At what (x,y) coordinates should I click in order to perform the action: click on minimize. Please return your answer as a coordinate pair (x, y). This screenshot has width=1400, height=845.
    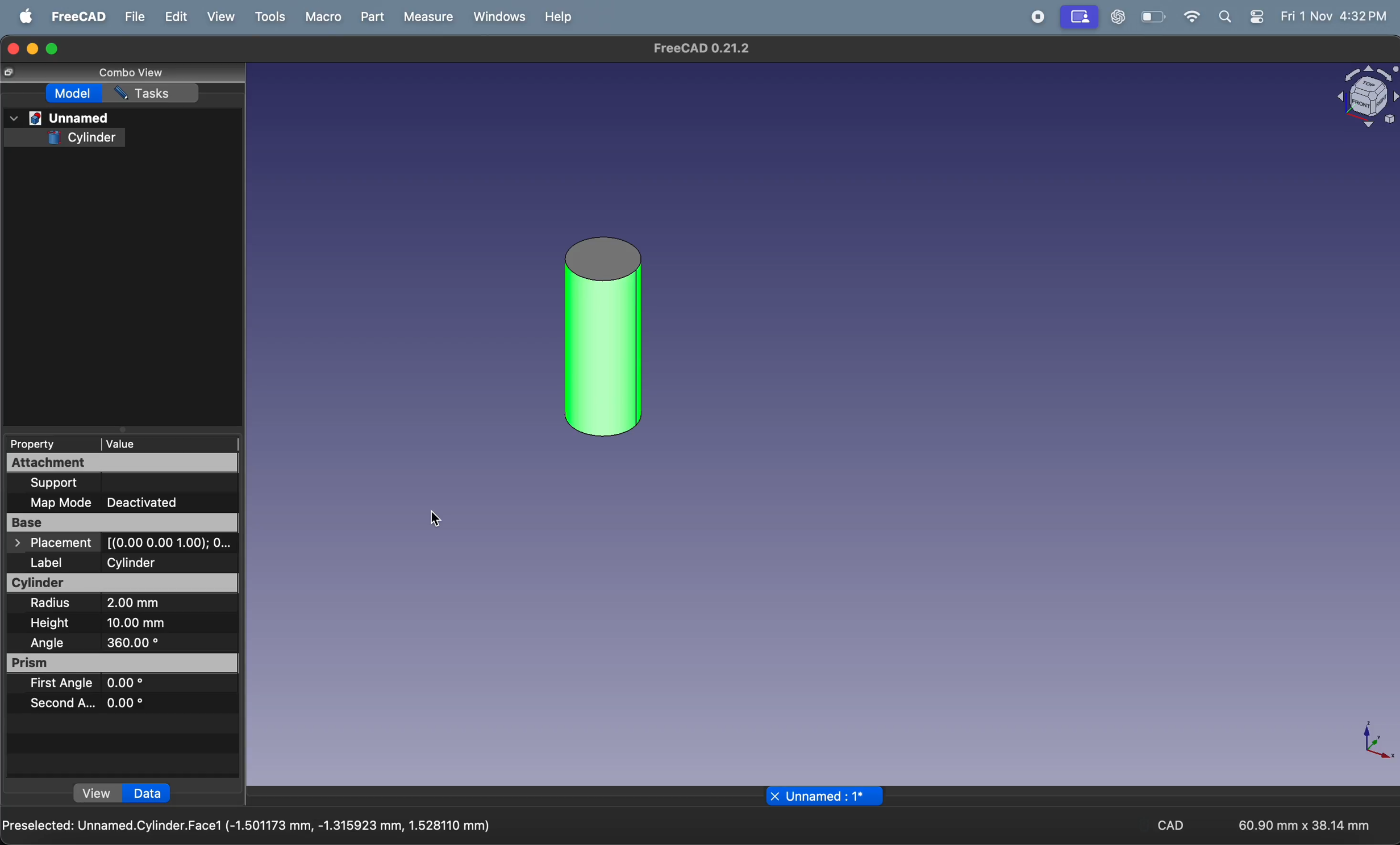
    Looking at the image, I should click on (34, 49).